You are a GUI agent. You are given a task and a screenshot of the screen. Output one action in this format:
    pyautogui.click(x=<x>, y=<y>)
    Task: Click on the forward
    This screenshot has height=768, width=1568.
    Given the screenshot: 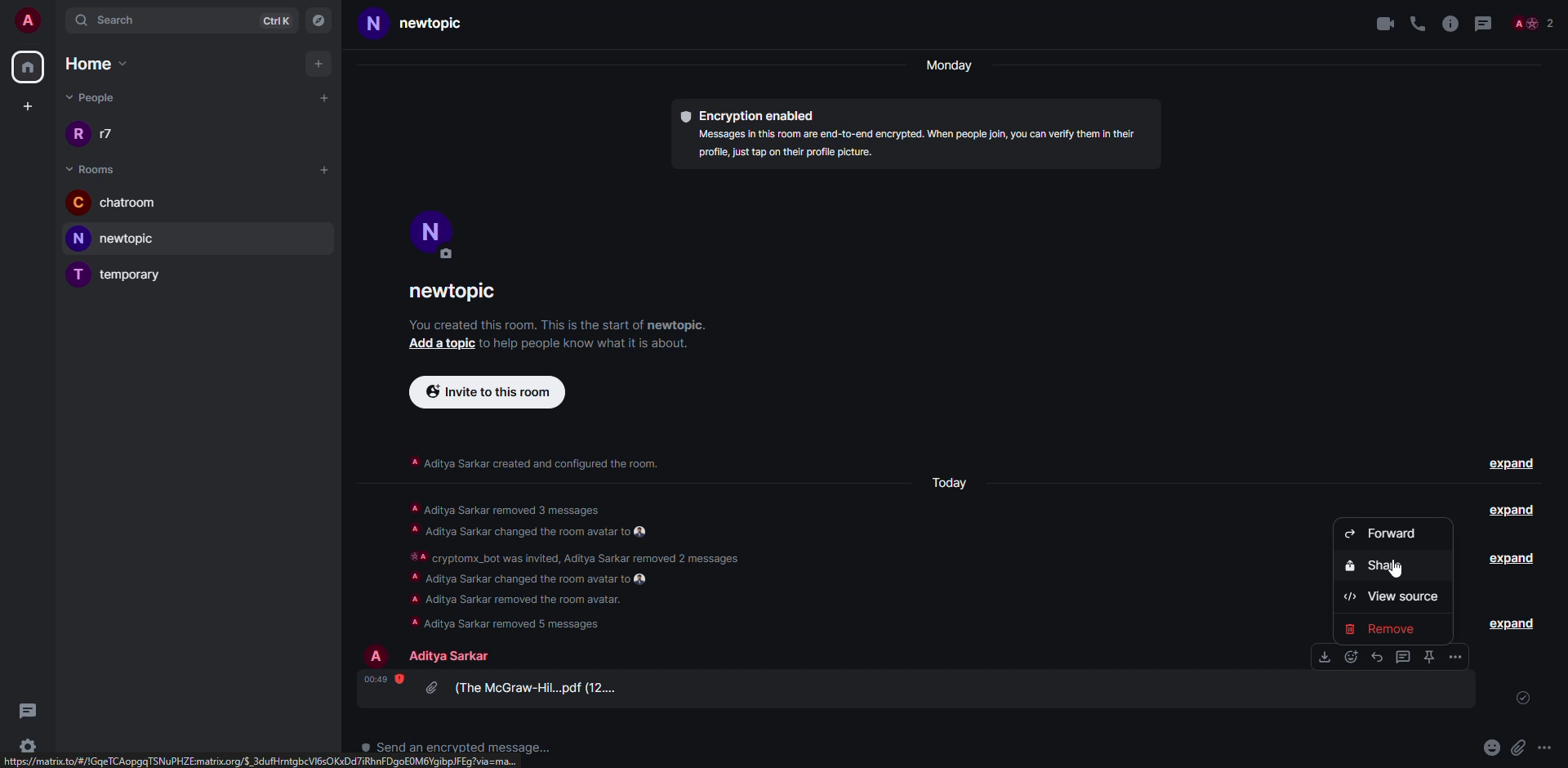 What is the action you would take?
    pyautogui.click(x=1381, y=533)
    